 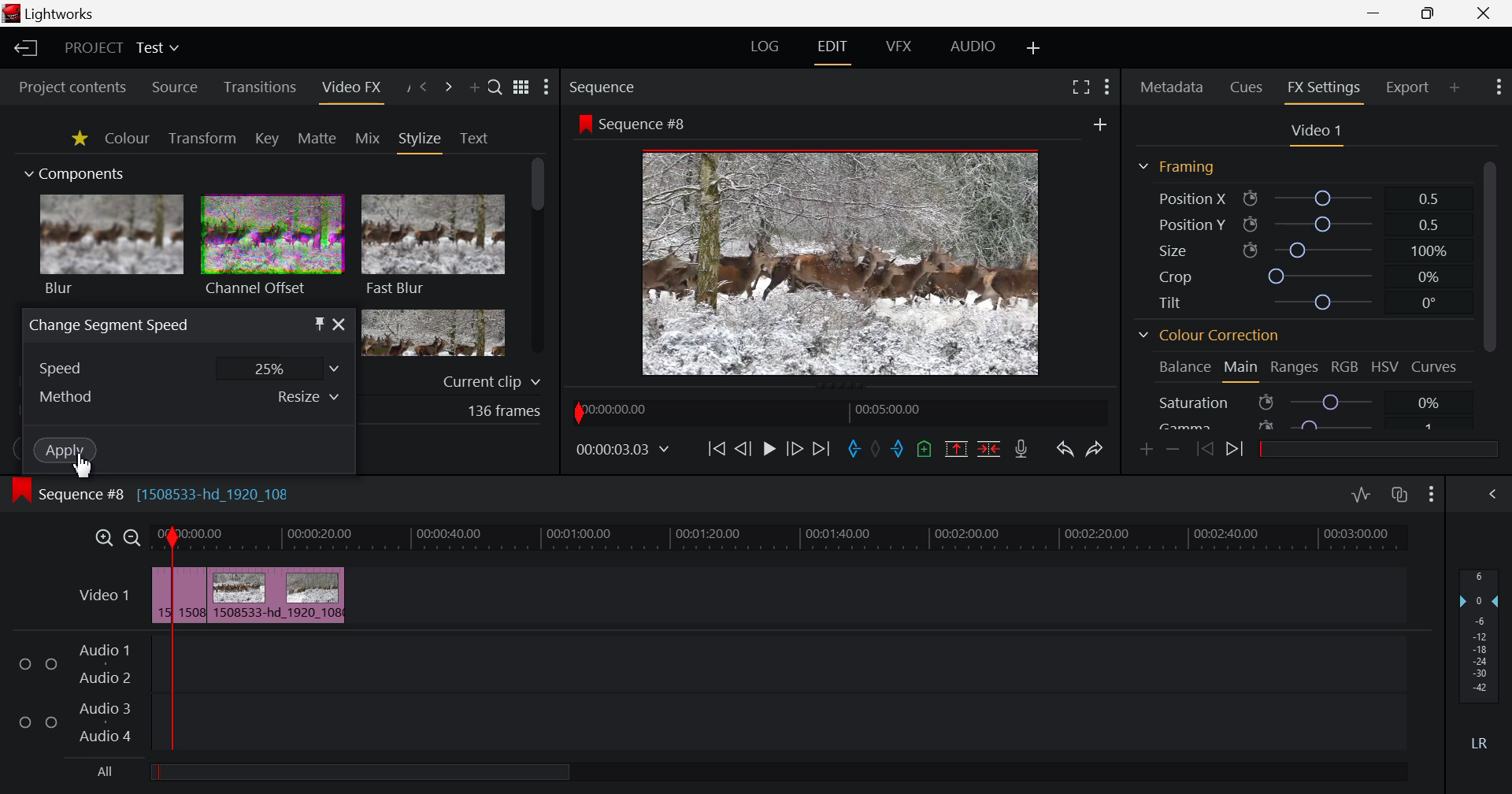 I want to click on Transitions, so click(x=259, y=88).